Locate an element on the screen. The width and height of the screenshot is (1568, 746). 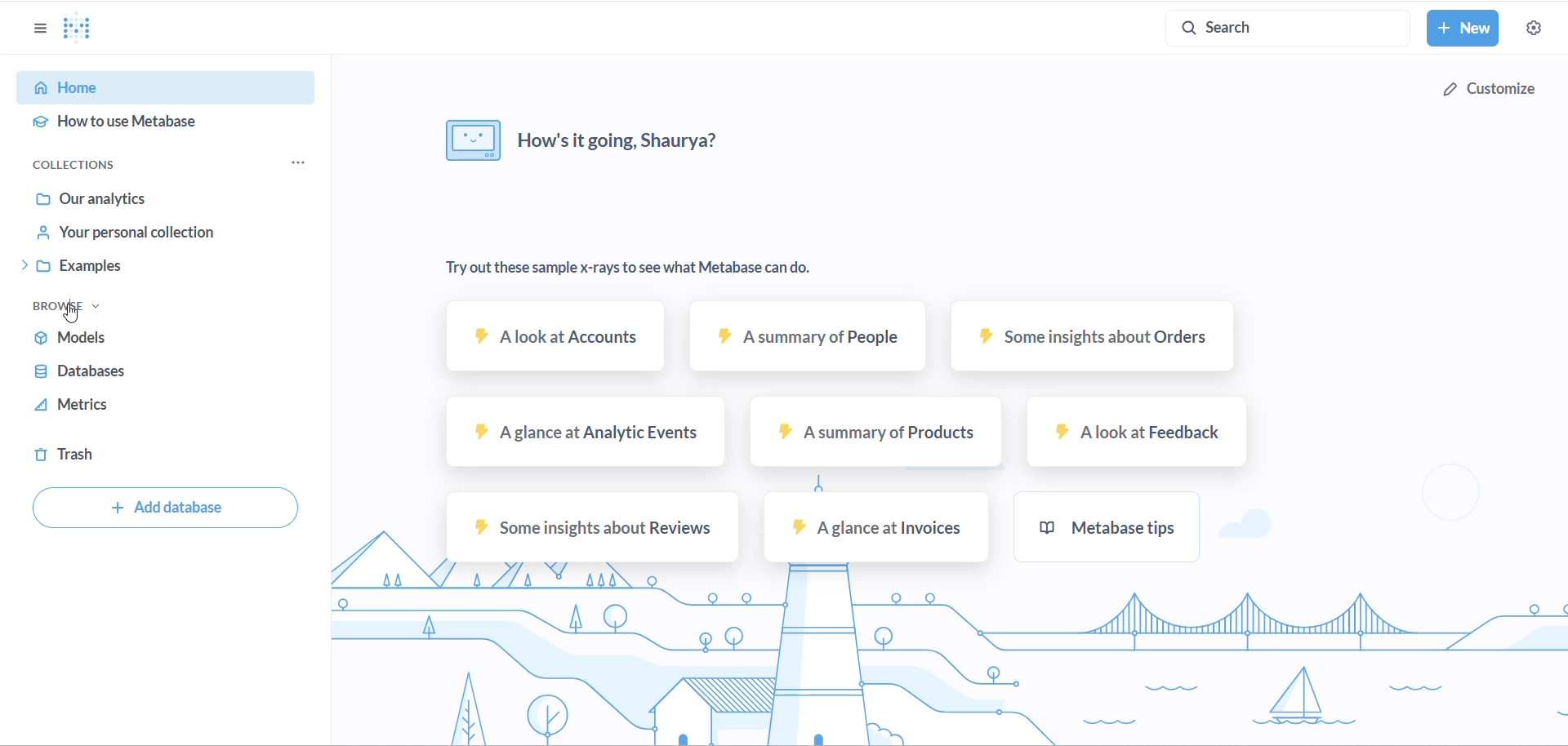
metrics is located at coordinates (78, 406).